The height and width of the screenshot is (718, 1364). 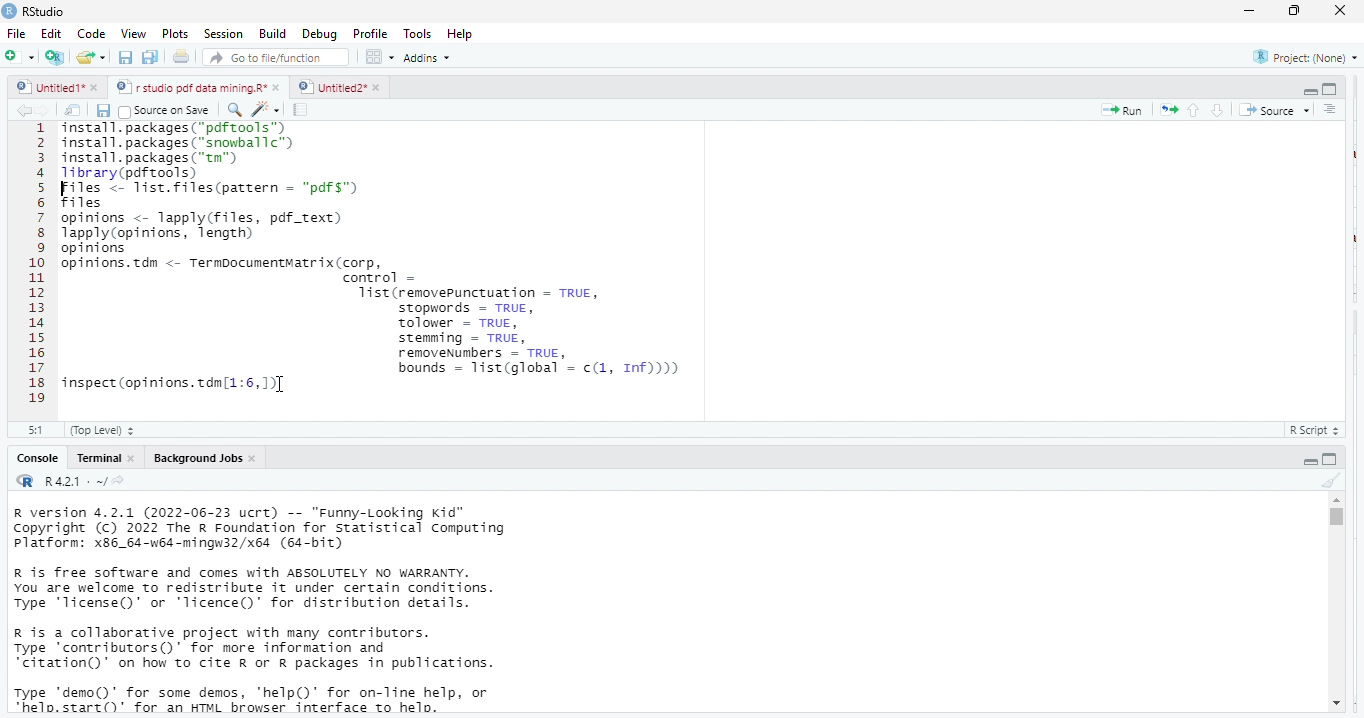 I want to click on open an existing file, so click(x=92, y=59).